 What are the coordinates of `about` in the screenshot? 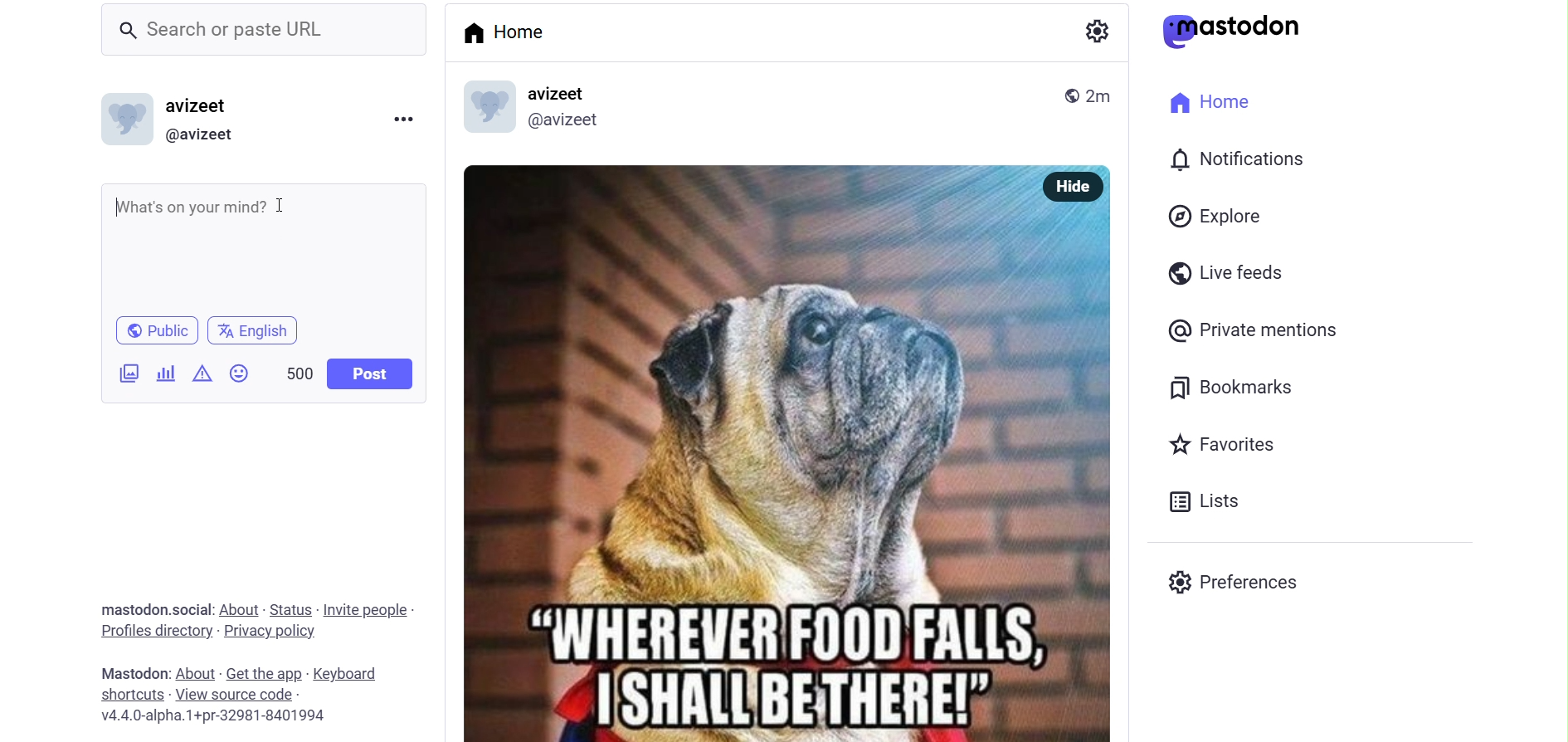 It's located at (240, 610).